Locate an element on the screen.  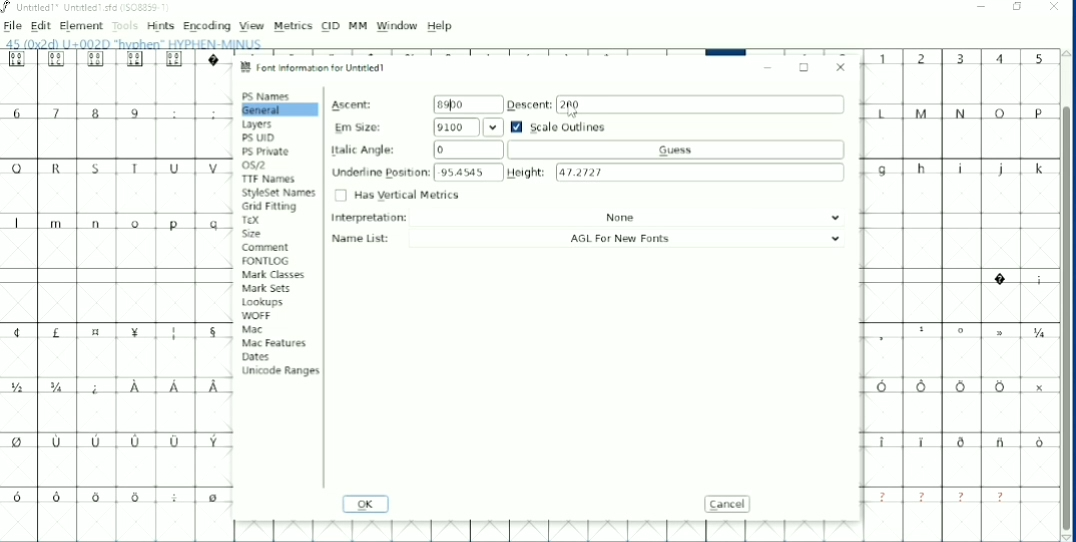
Tools is located at coordinates (125, 27).